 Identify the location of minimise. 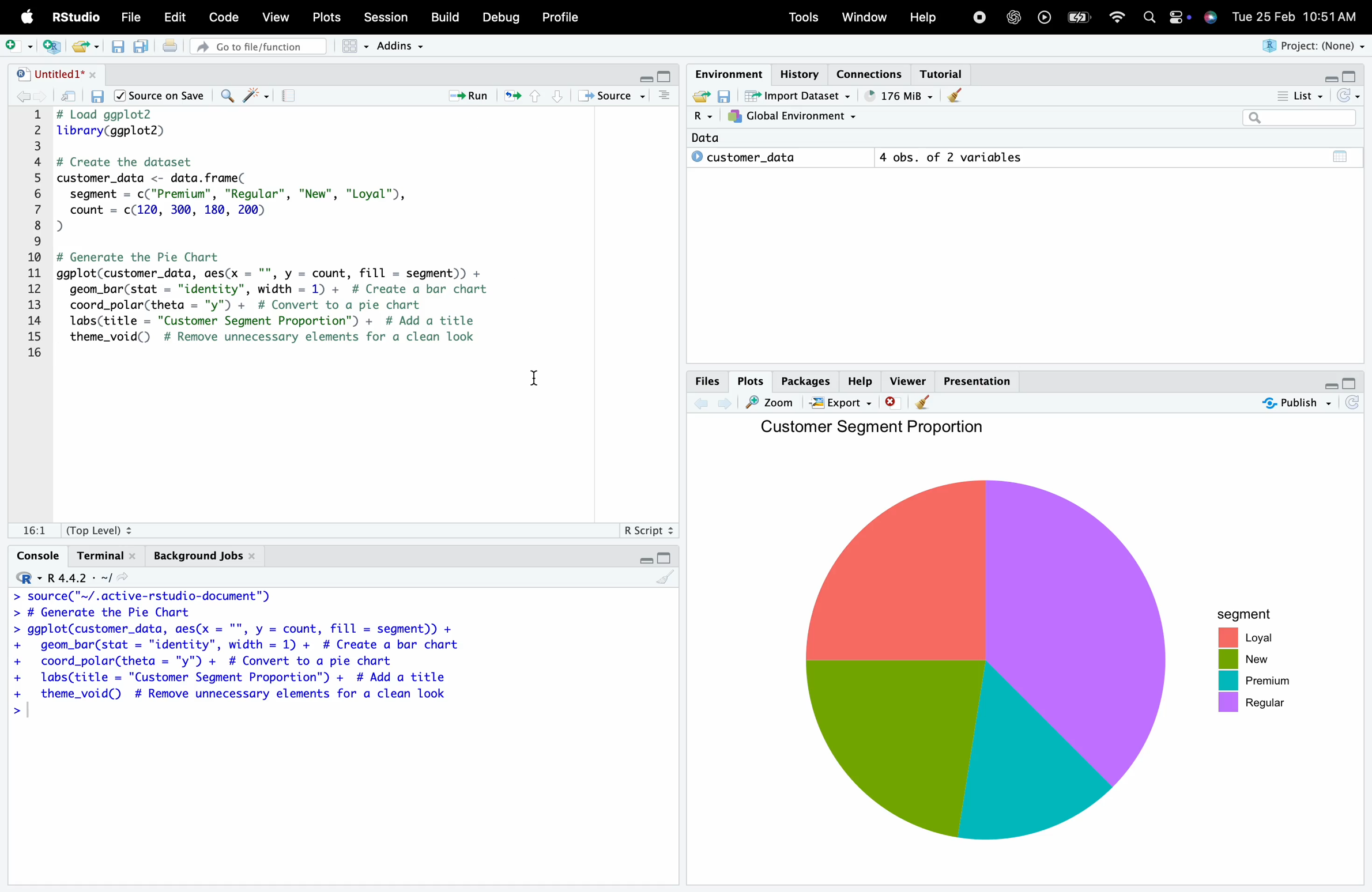
(643, 562).